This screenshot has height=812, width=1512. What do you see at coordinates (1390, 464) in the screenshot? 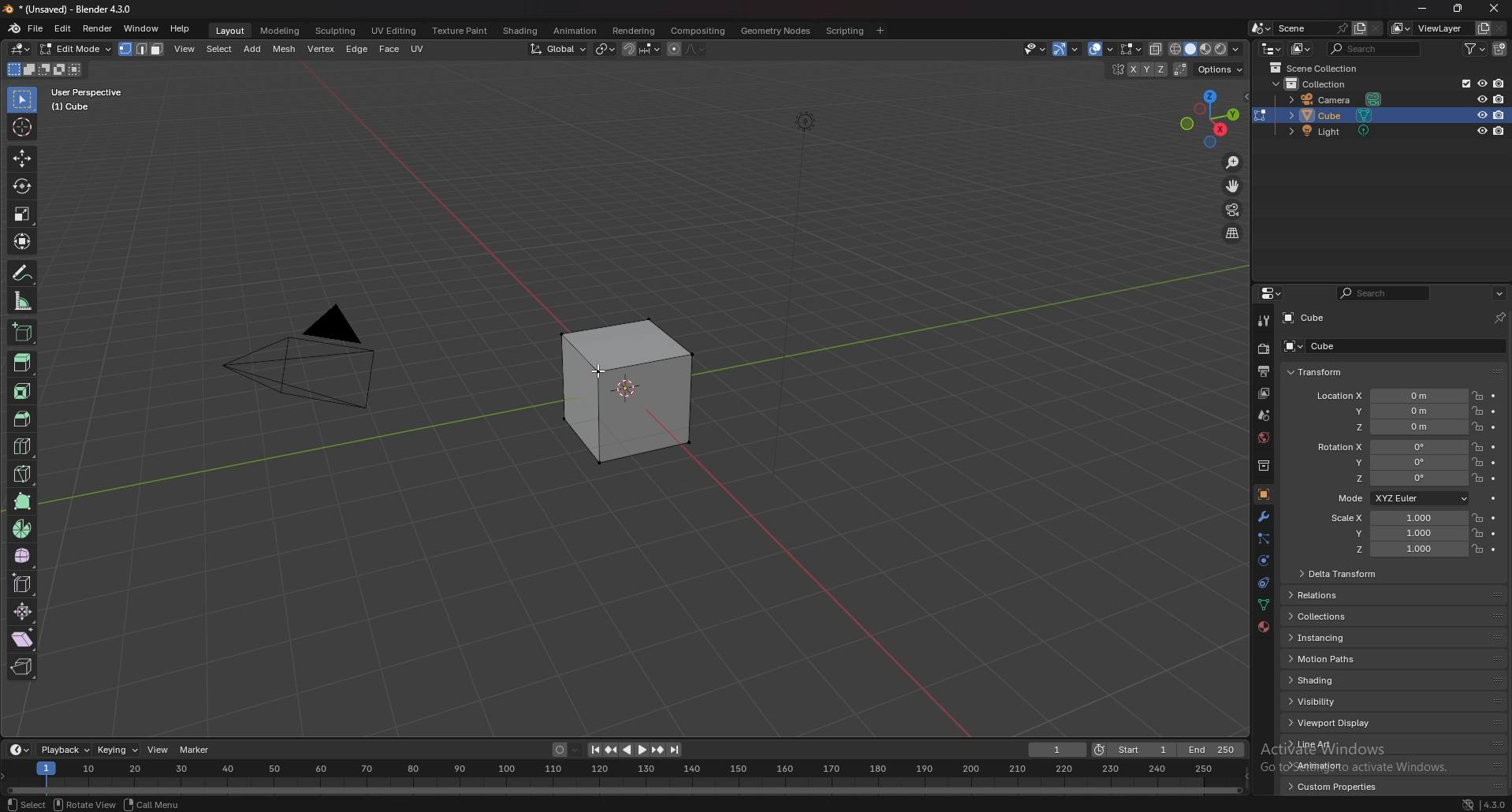
I see `rotation y` at bounding box center [1390, 464].